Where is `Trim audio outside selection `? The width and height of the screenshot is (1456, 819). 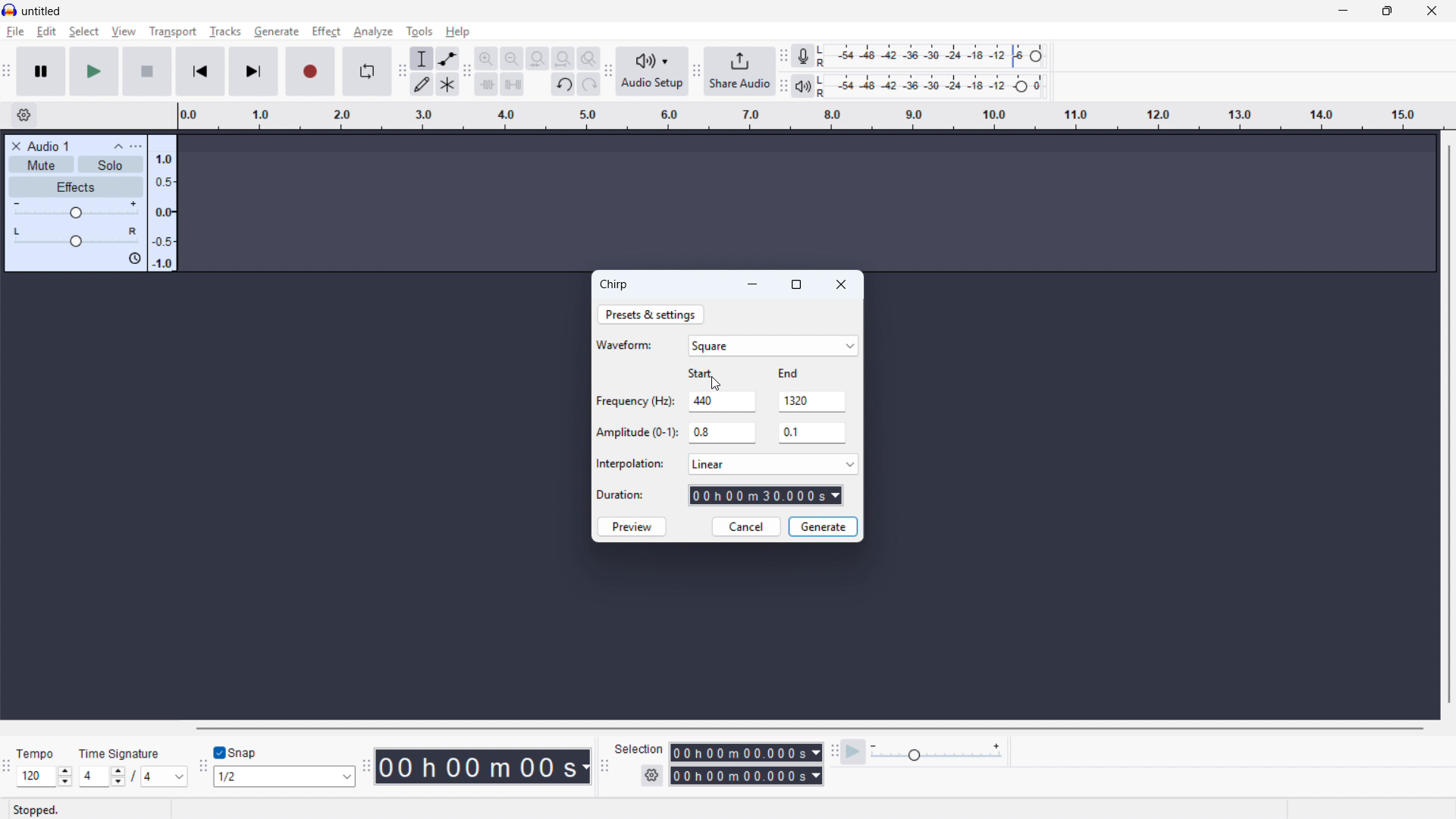 Trim audio outside selection  is located at coordinates (487, 83).